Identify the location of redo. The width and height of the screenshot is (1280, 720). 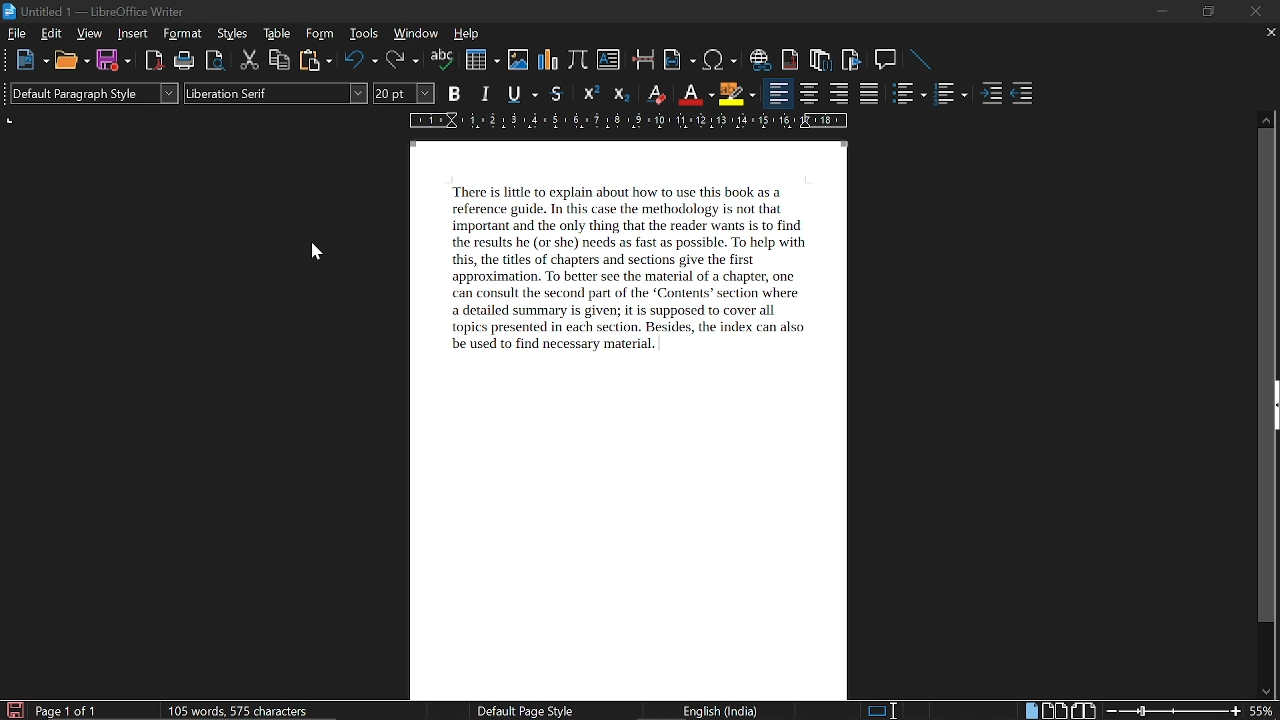
(403, 61).